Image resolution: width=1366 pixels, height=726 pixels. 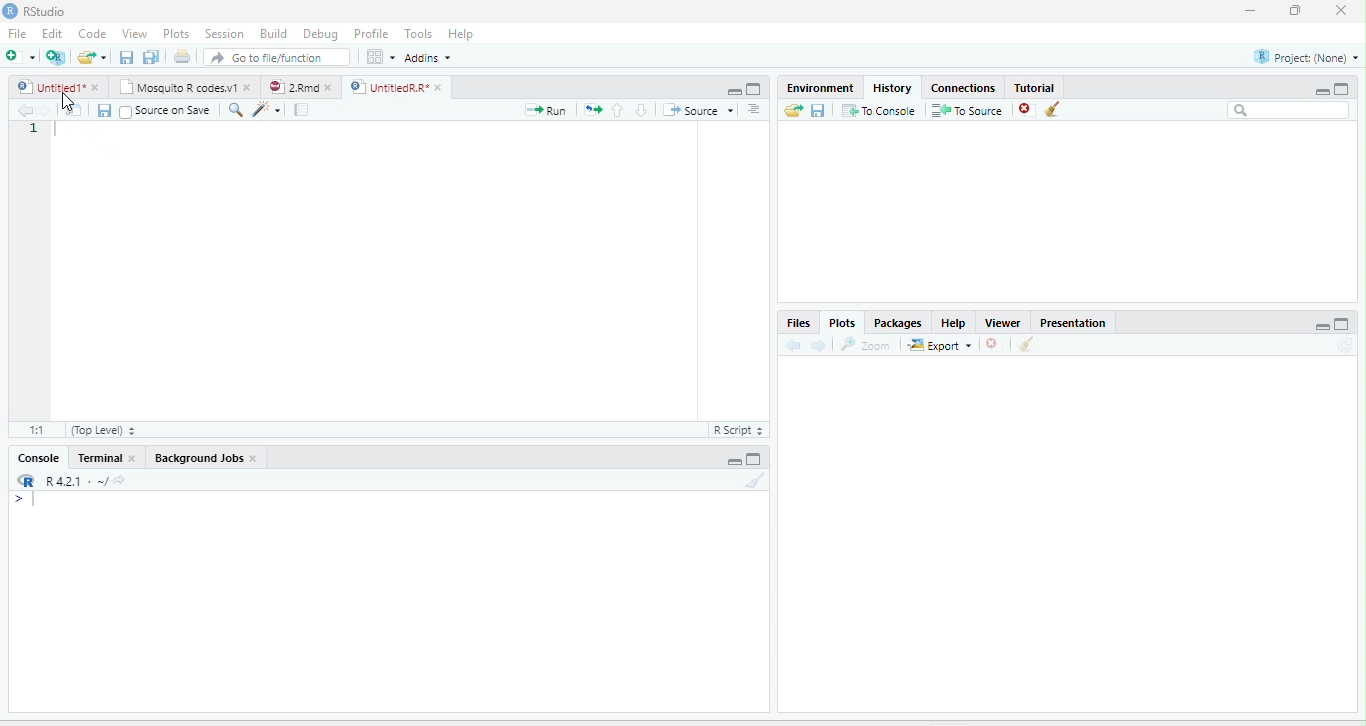 I want to click on File, so click(x=18, y=33).